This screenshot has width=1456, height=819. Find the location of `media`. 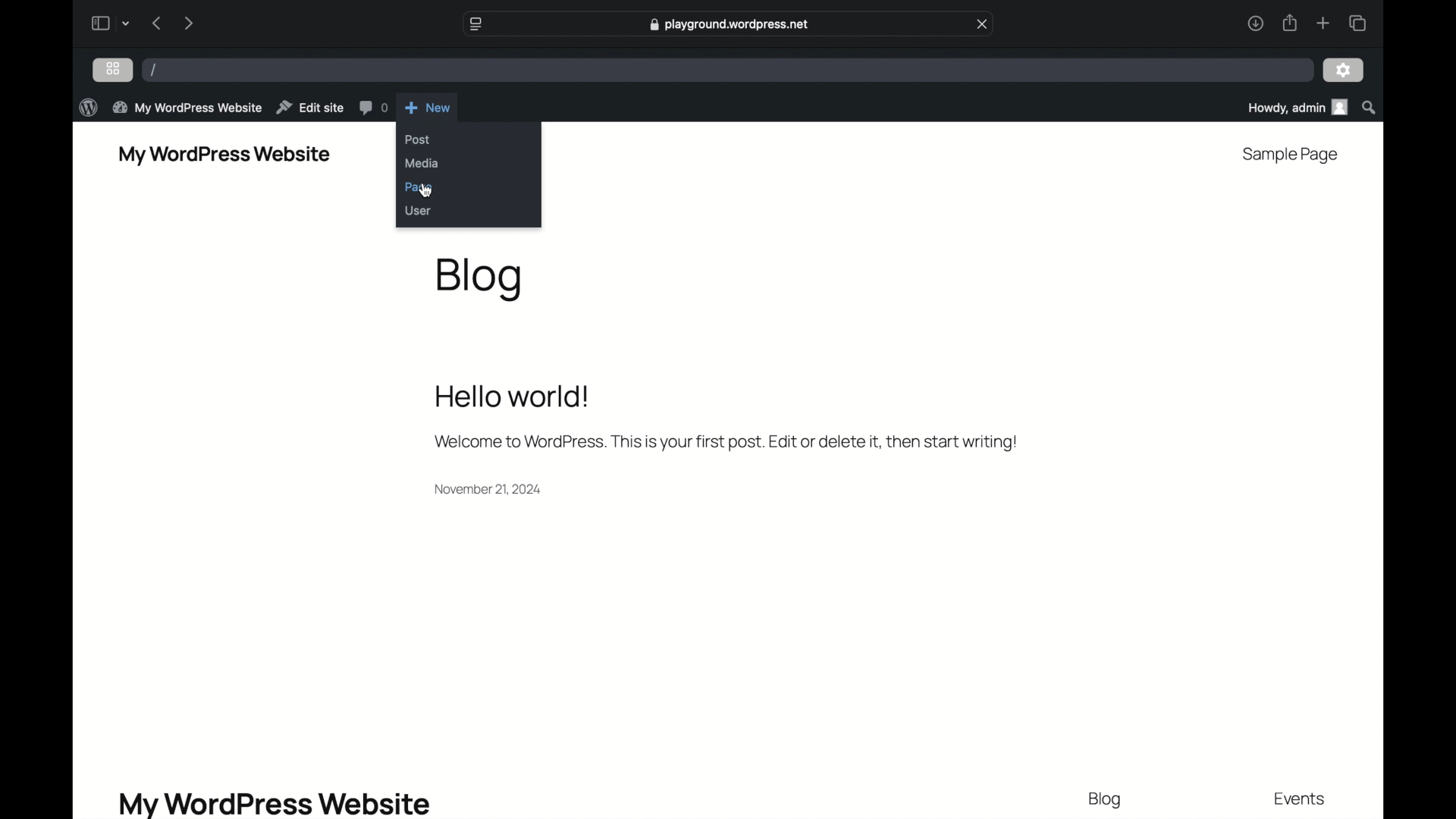

media is located at coordinates (422, 163).